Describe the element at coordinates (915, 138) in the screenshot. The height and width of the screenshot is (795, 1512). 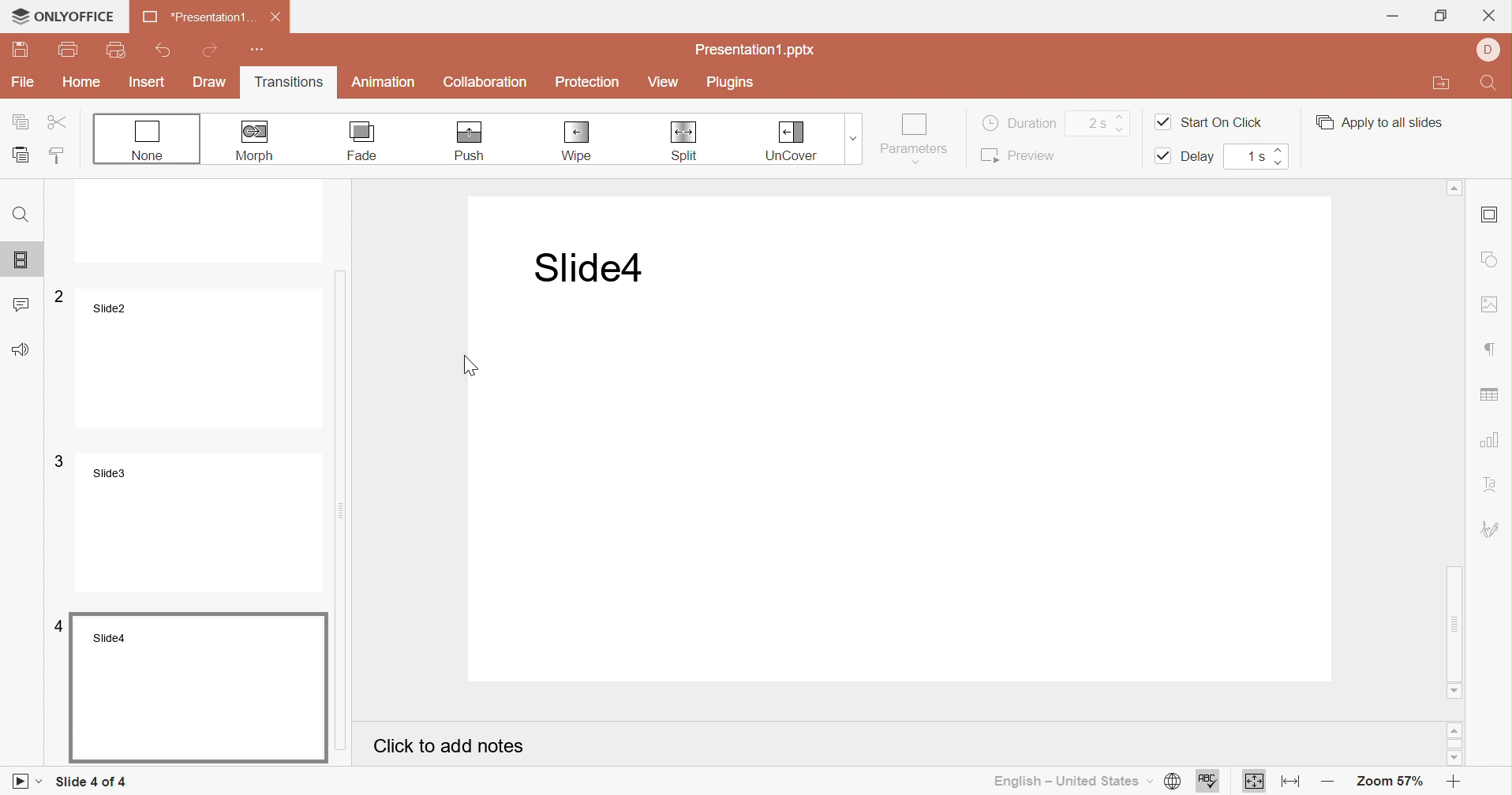
I see `Parameters` at that location.